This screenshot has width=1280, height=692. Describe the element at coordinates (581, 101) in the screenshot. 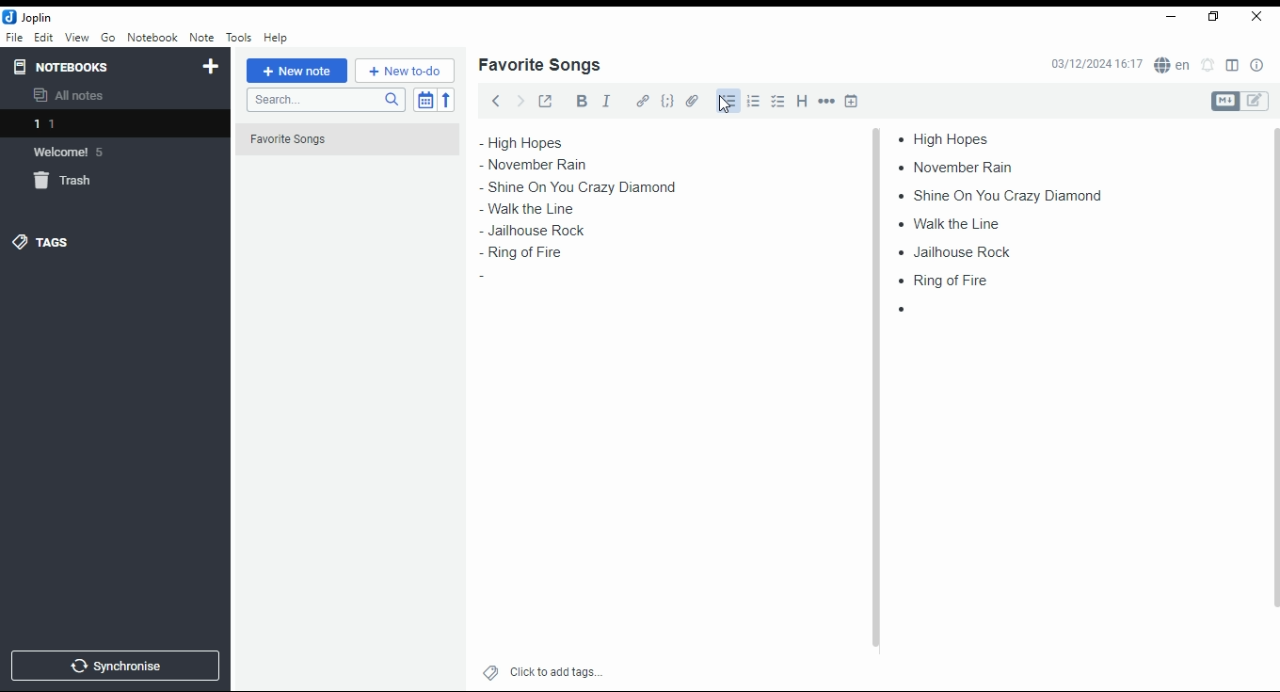

I see `bold` at that location.